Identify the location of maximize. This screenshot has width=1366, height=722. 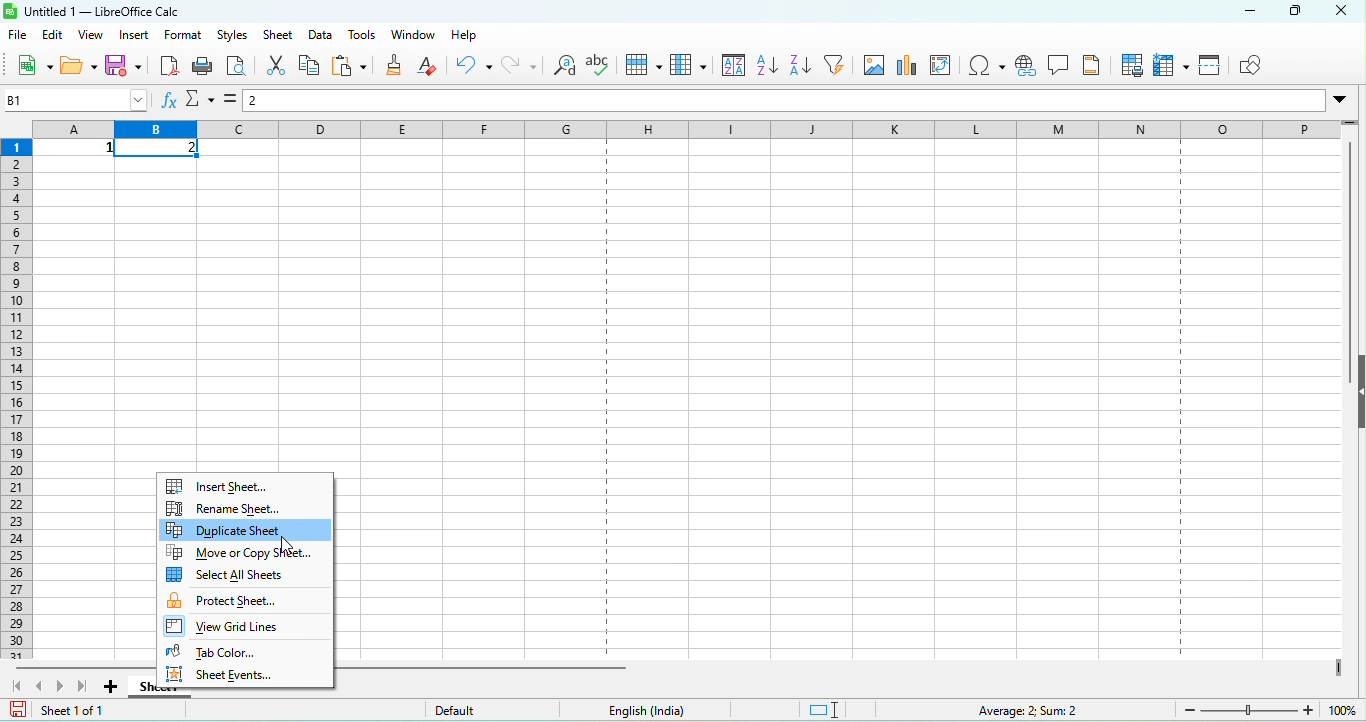
(1296, 13).